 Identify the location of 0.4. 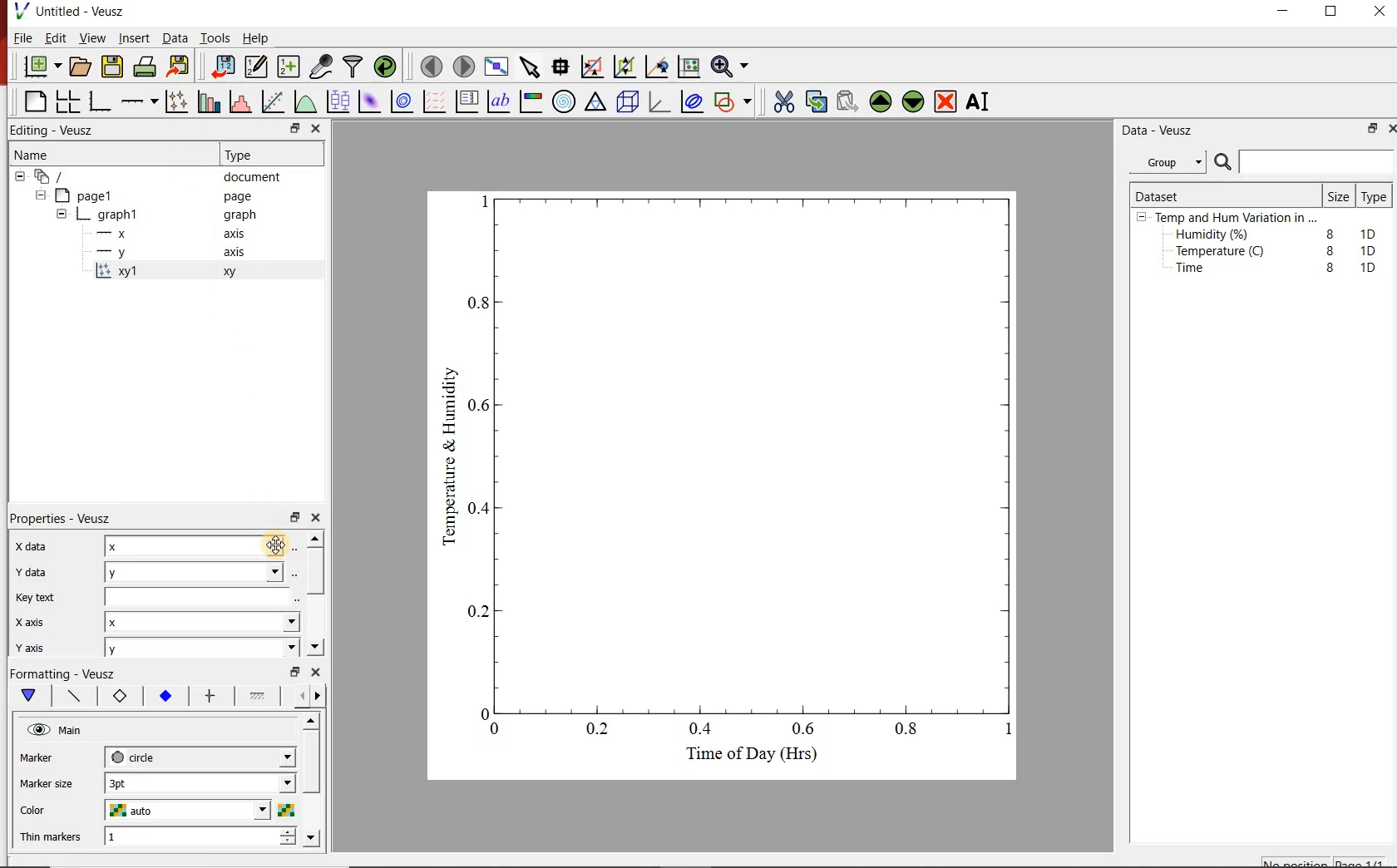
(703, 730).